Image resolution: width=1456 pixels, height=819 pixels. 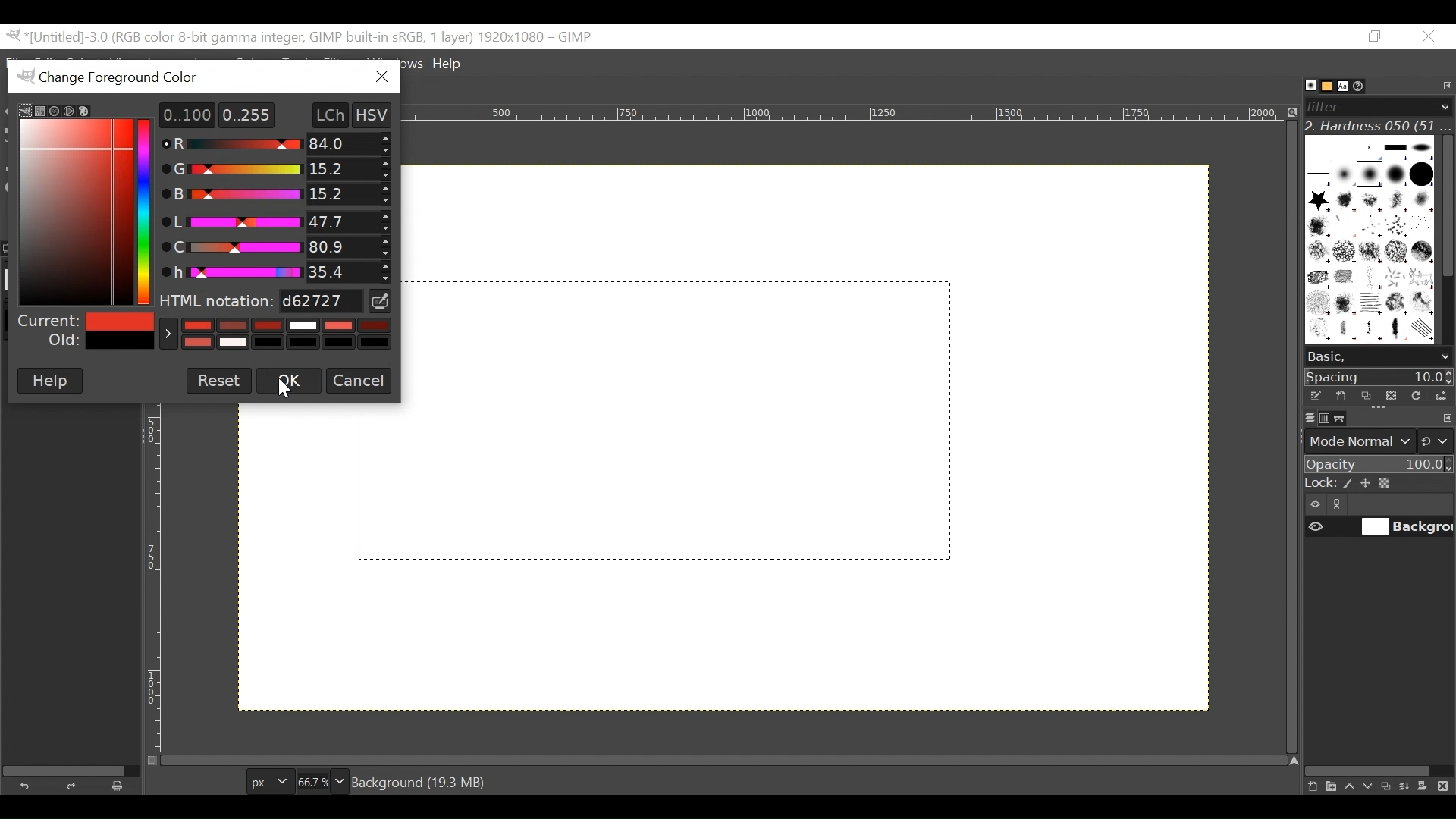 I want to click on Green, so click(x=270, y=169).